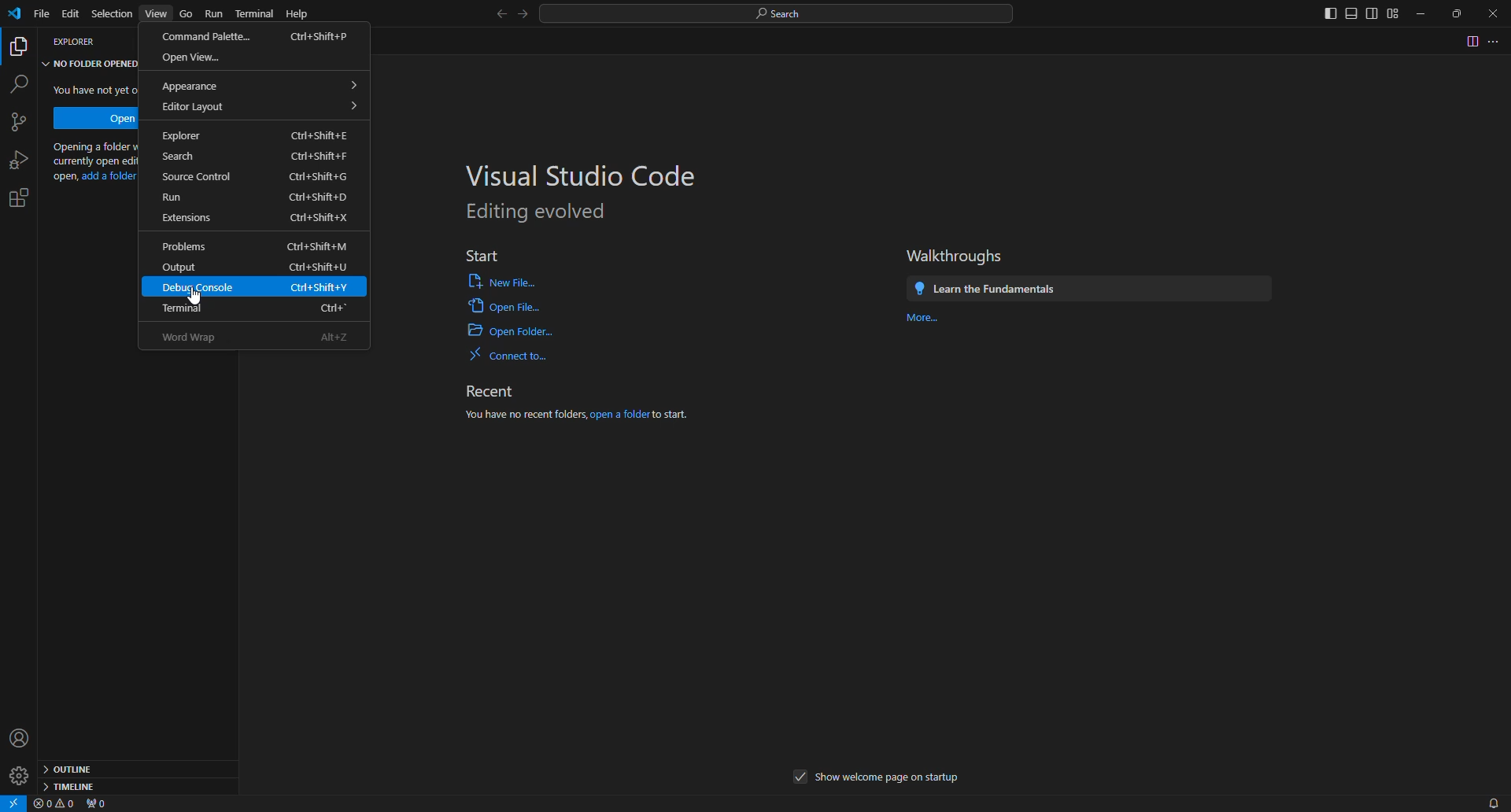 The width and height of the screenshot is (1511, 812). Describe the element at coordinates (499, 389) in the screenshot. I see `Recent` at that location.